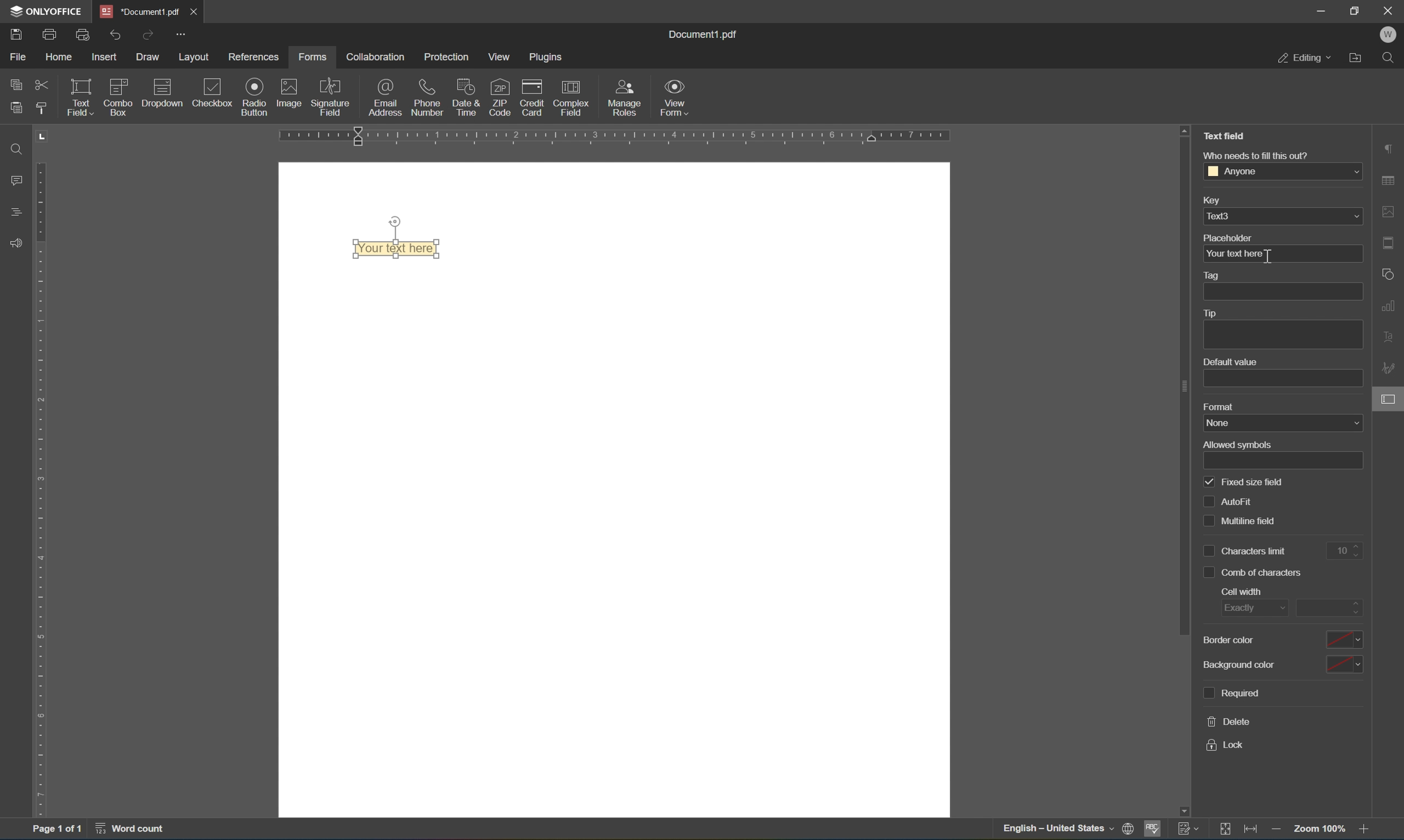 This screenshot has height=840, width=1404. Describe the element at coordinates (48, 10) in the screenshot. I see `onlyoffice` at that location.